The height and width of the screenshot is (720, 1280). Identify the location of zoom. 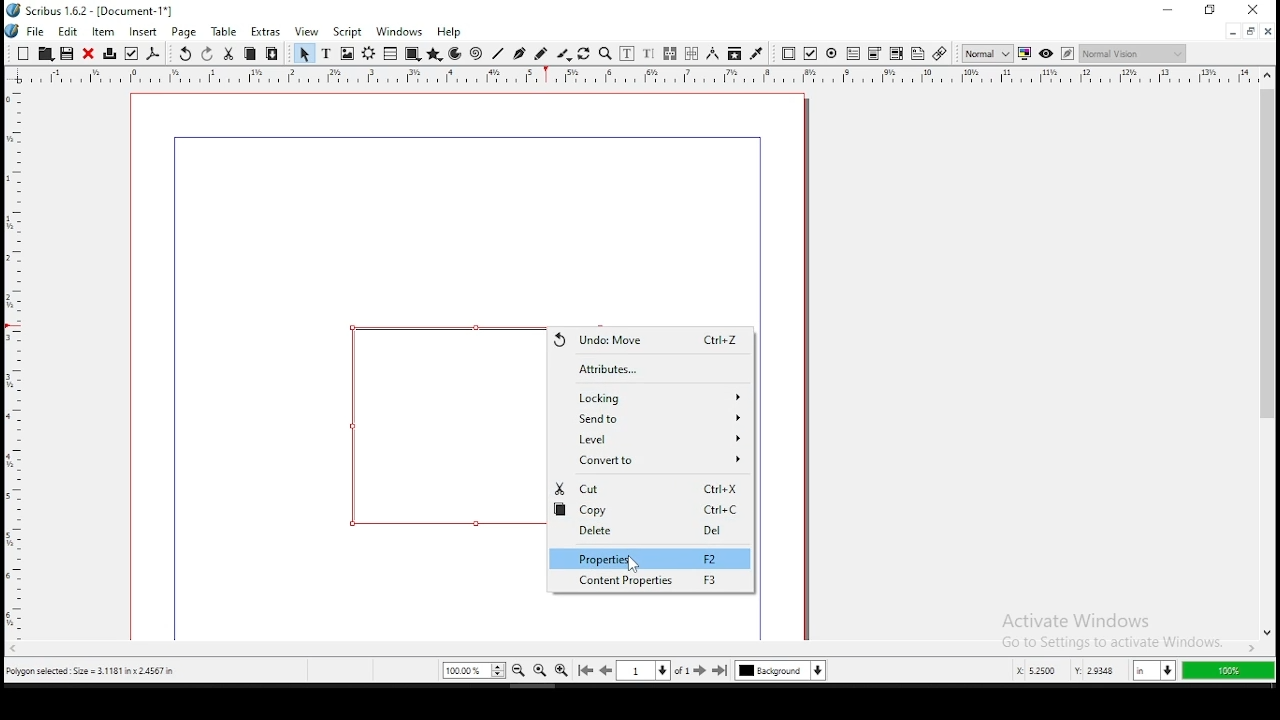
(474, 670).